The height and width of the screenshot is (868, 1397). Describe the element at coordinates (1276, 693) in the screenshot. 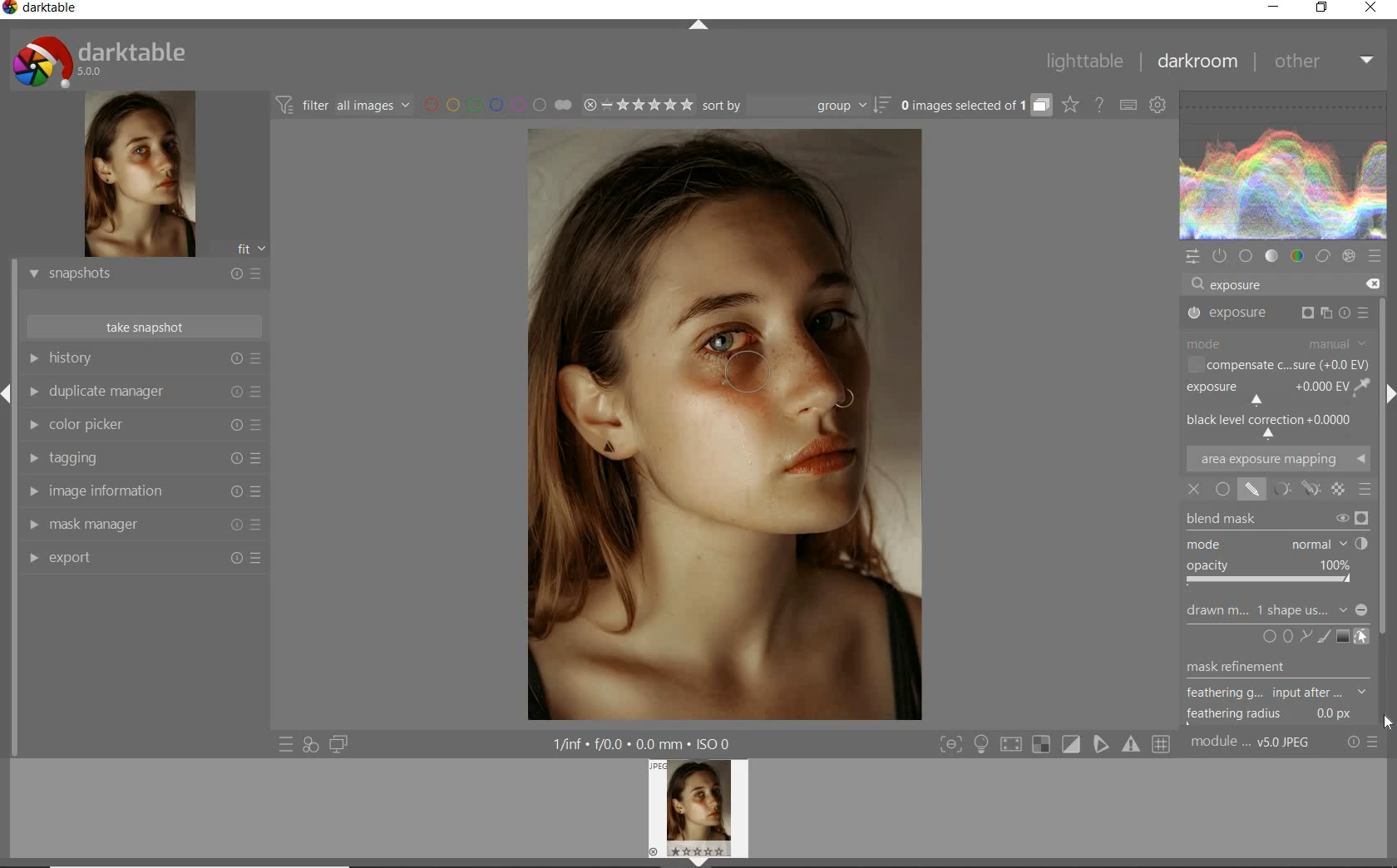

I see `FEATHERING G...` at that location.